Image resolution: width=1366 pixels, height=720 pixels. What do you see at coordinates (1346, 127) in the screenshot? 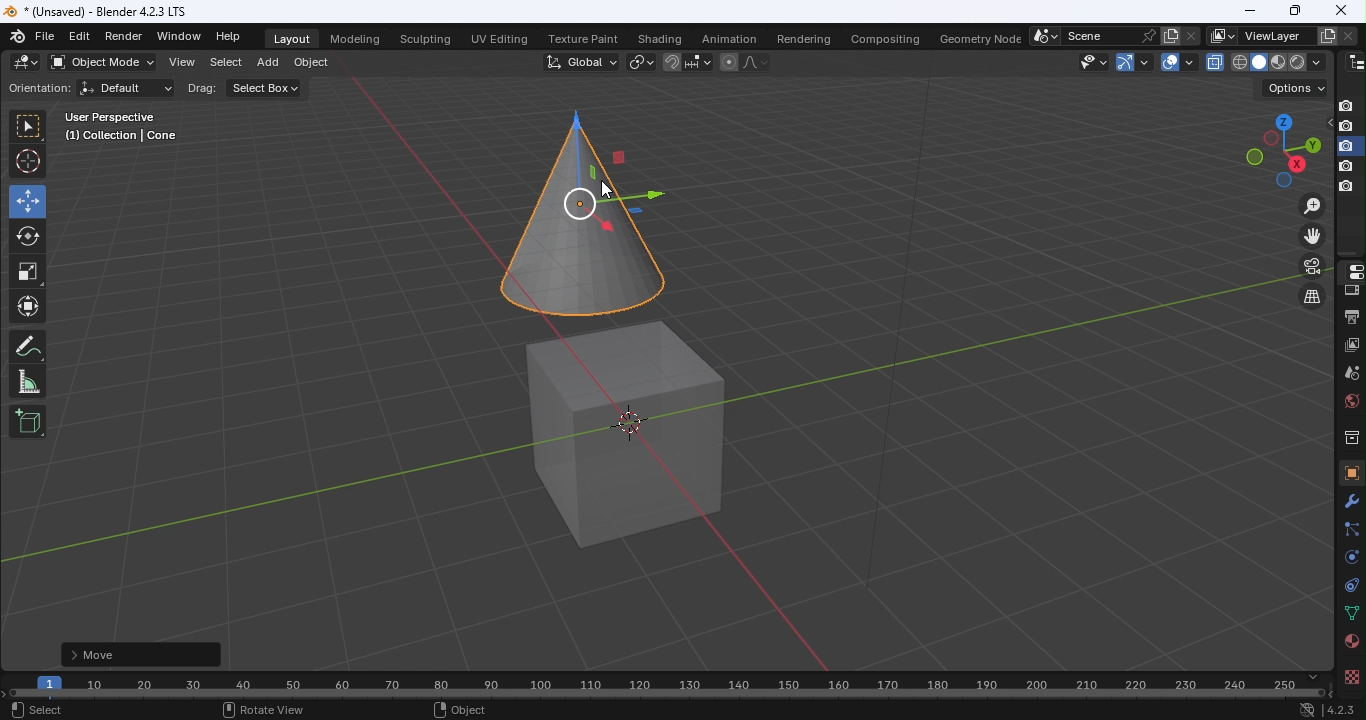
I see `disable in renders` at bounding box center [1346, 127].